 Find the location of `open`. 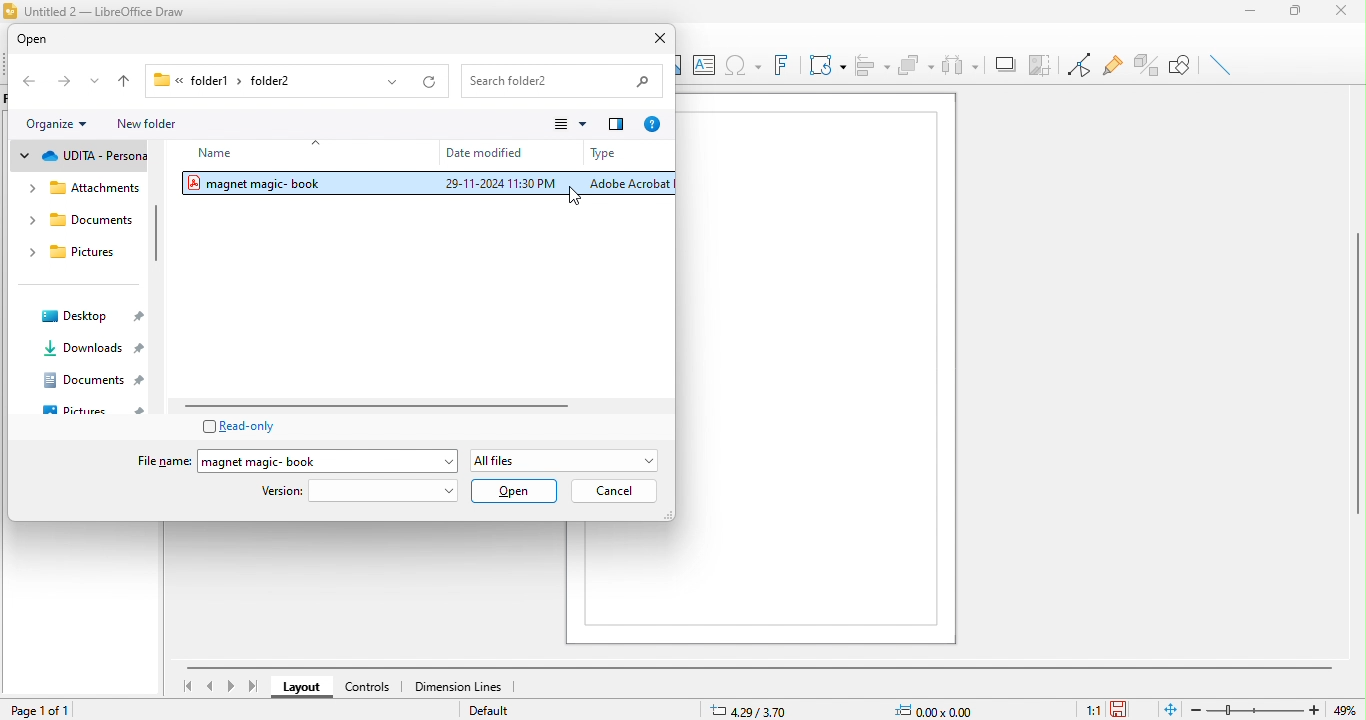

open is located at coordinates (50, 40).